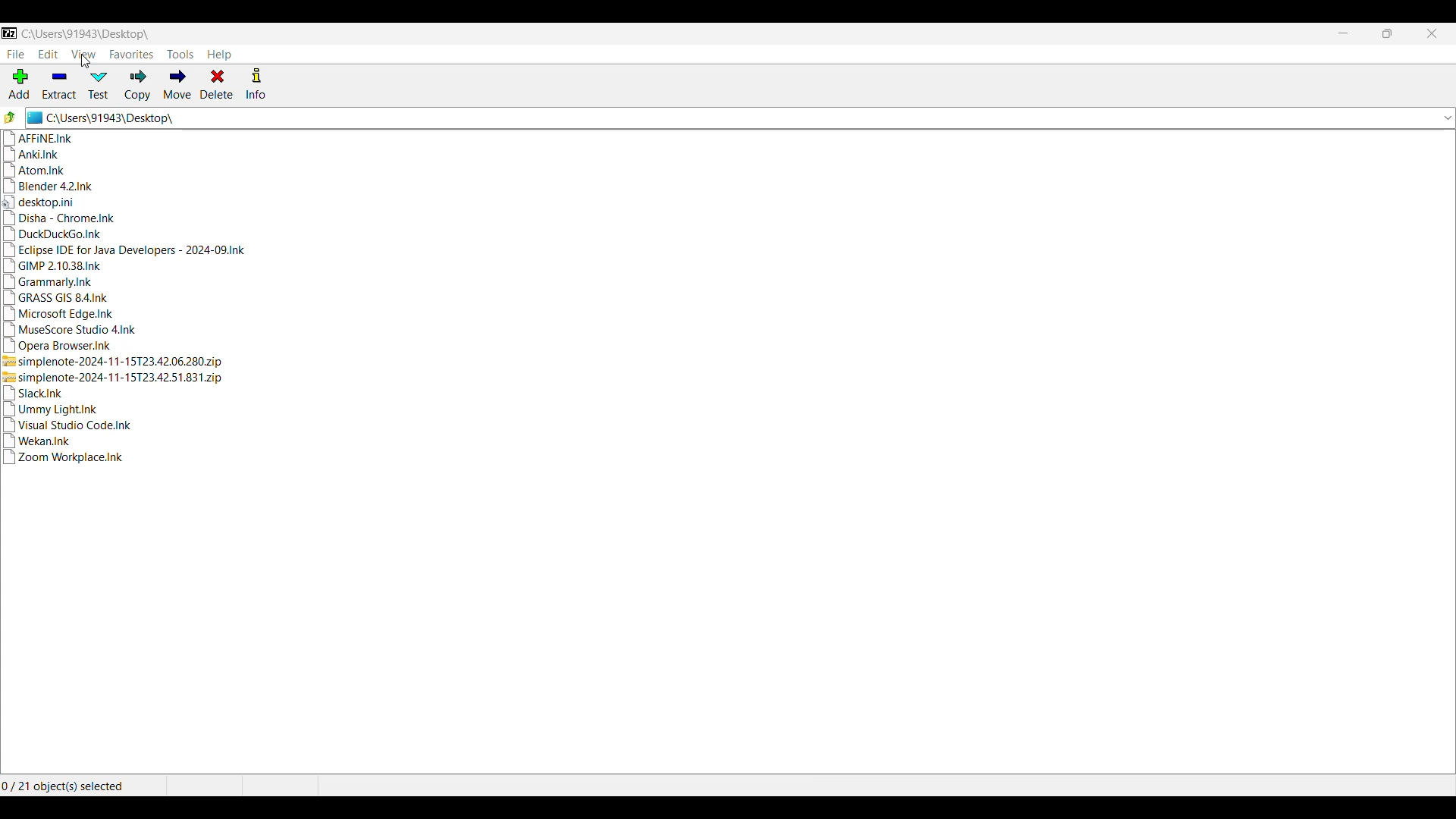  Describe the element at coordinates (70, 425) in the screenshot. I see `Visual Studio Code.Ink` at that location.